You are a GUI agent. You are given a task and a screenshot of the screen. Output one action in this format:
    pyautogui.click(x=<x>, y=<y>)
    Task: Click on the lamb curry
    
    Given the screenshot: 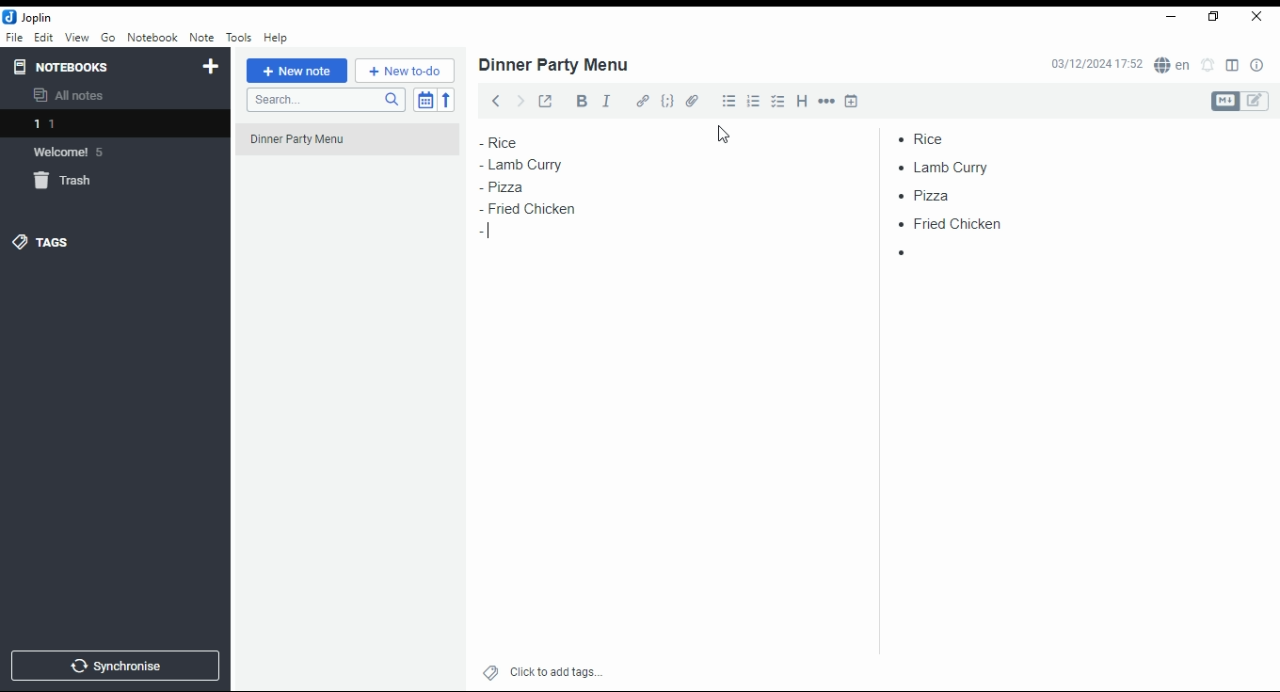 What is the action you would take?
    pyautogui.click(x=521, y=163)
    